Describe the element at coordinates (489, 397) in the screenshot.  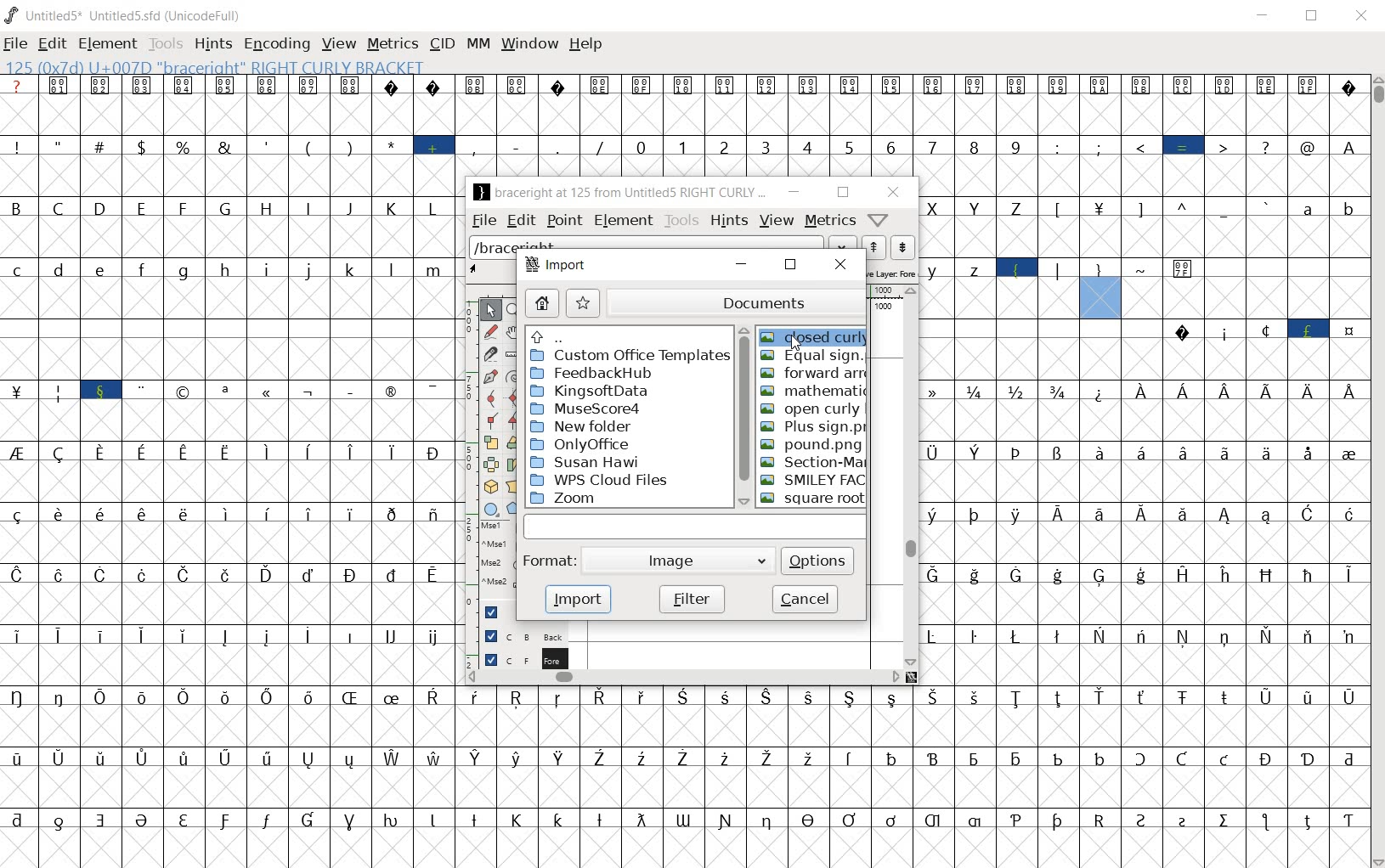
I see `add a curve point always either horizontal or vertical` at that location.